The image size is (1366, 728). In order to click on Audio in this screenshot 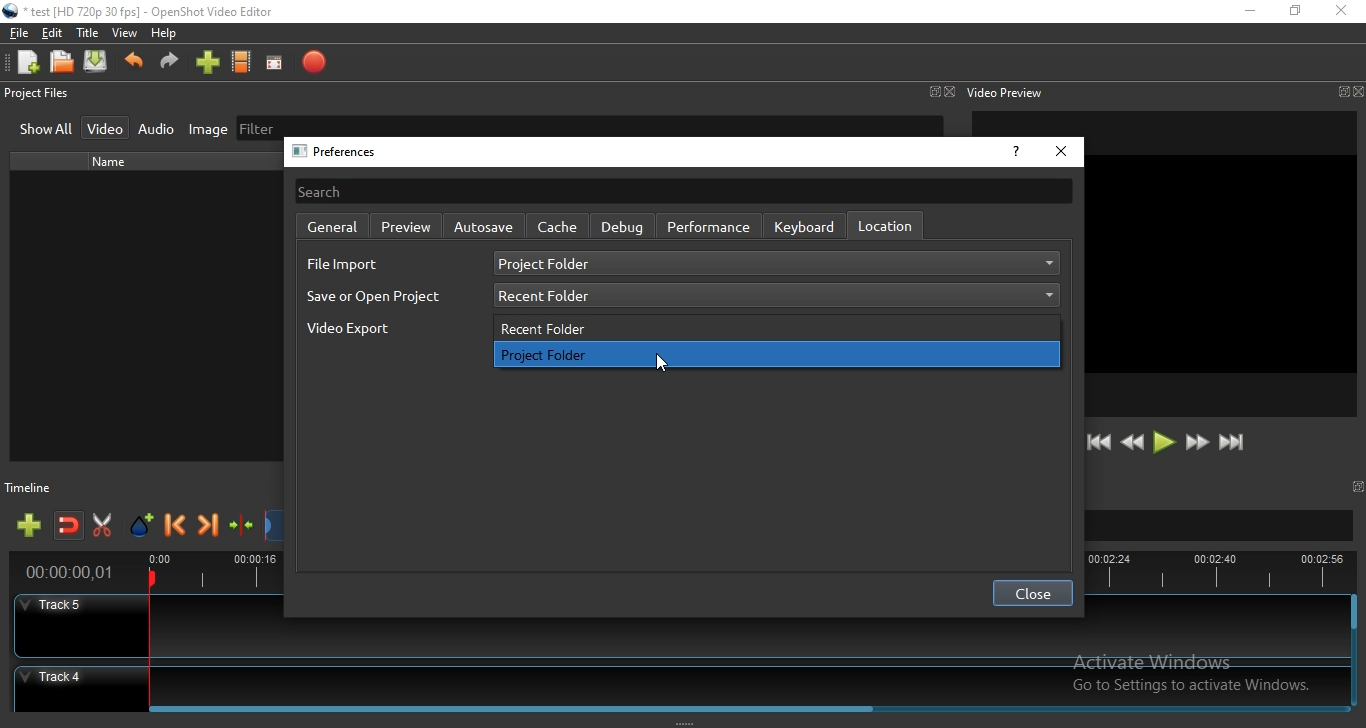, I will do `click(157, 129)`.